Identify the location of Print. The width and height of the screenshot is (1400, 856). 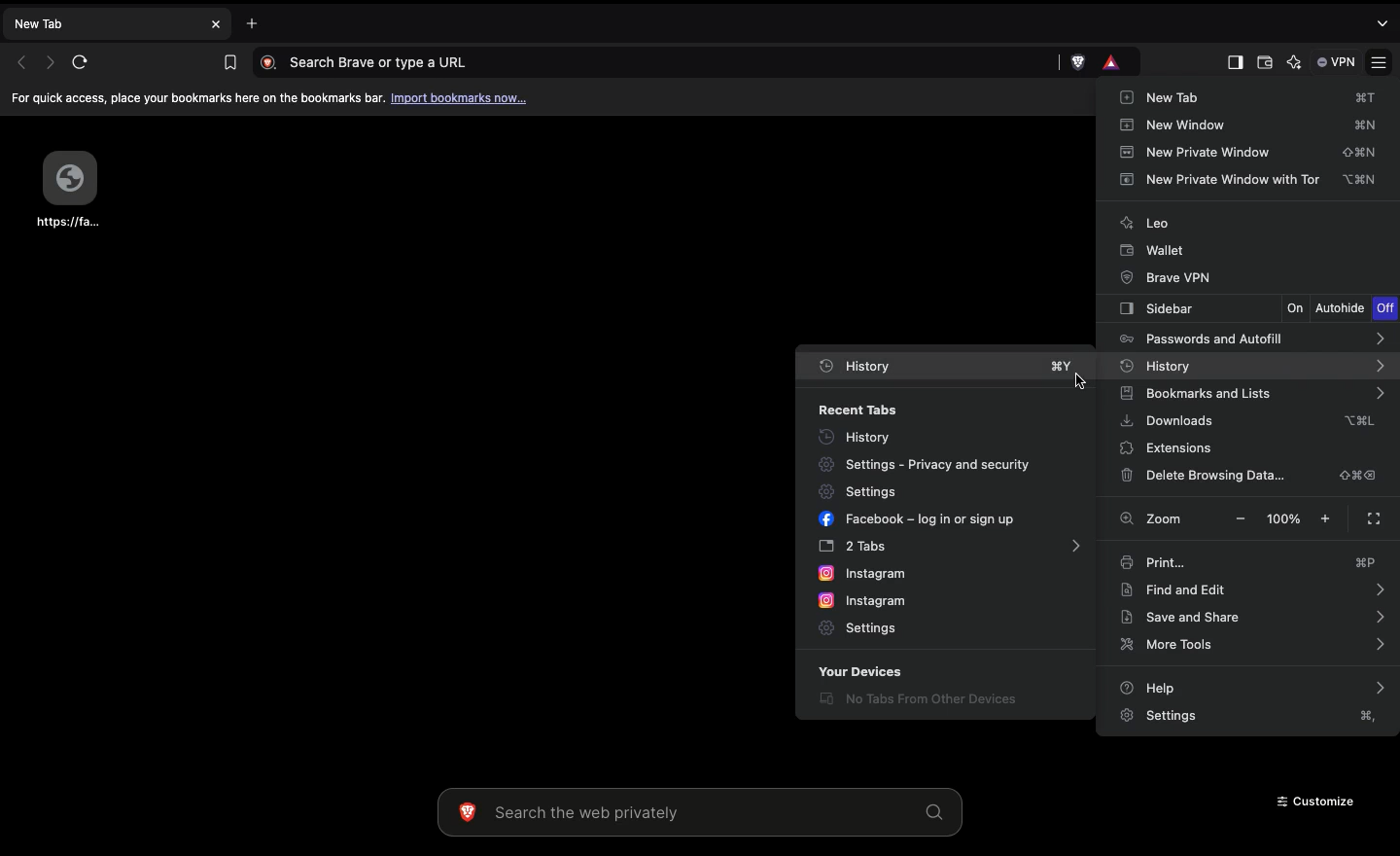
(1237, 562).